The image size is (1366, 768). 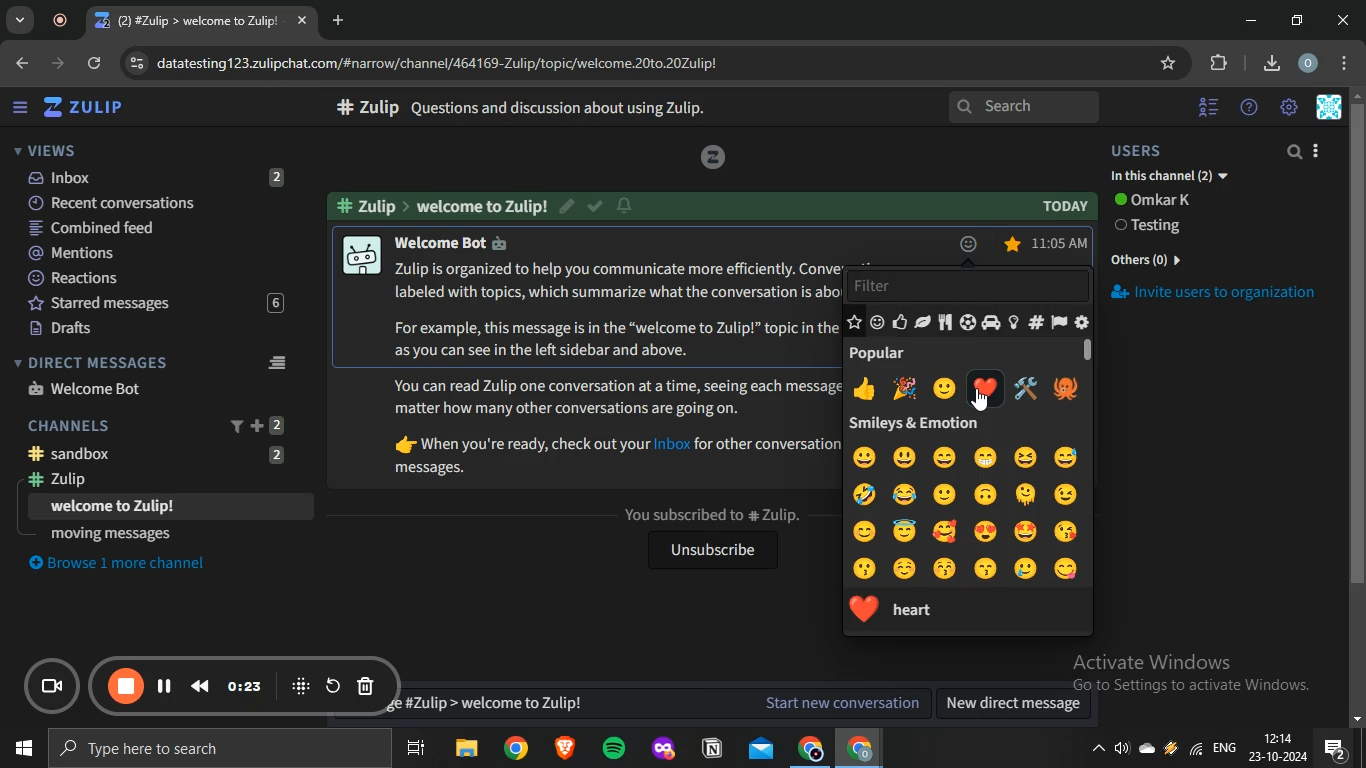 I want to click on start, so click(x=20, y=751).